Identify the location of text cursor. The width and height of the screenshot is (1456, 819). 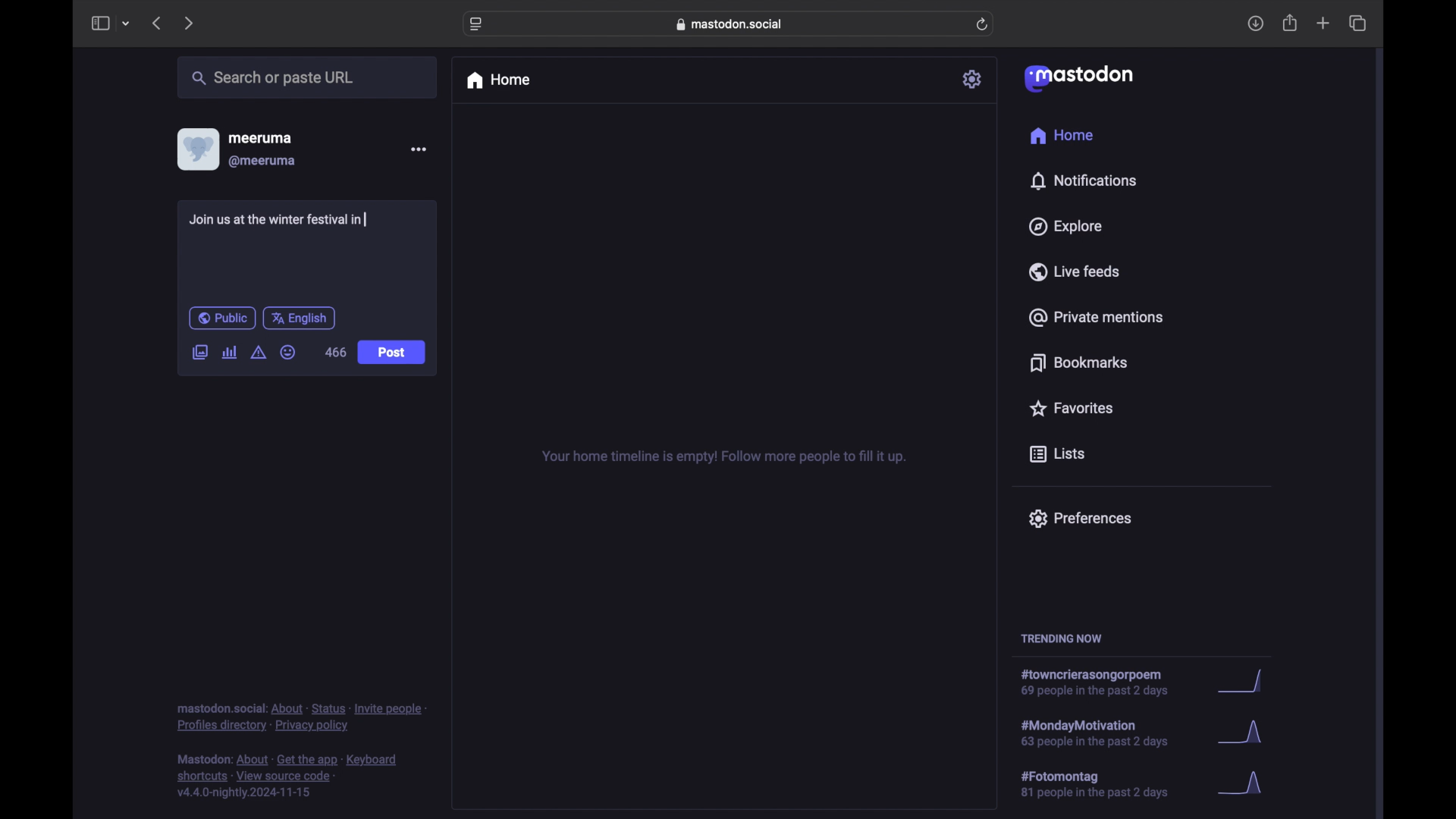
(368, 219).